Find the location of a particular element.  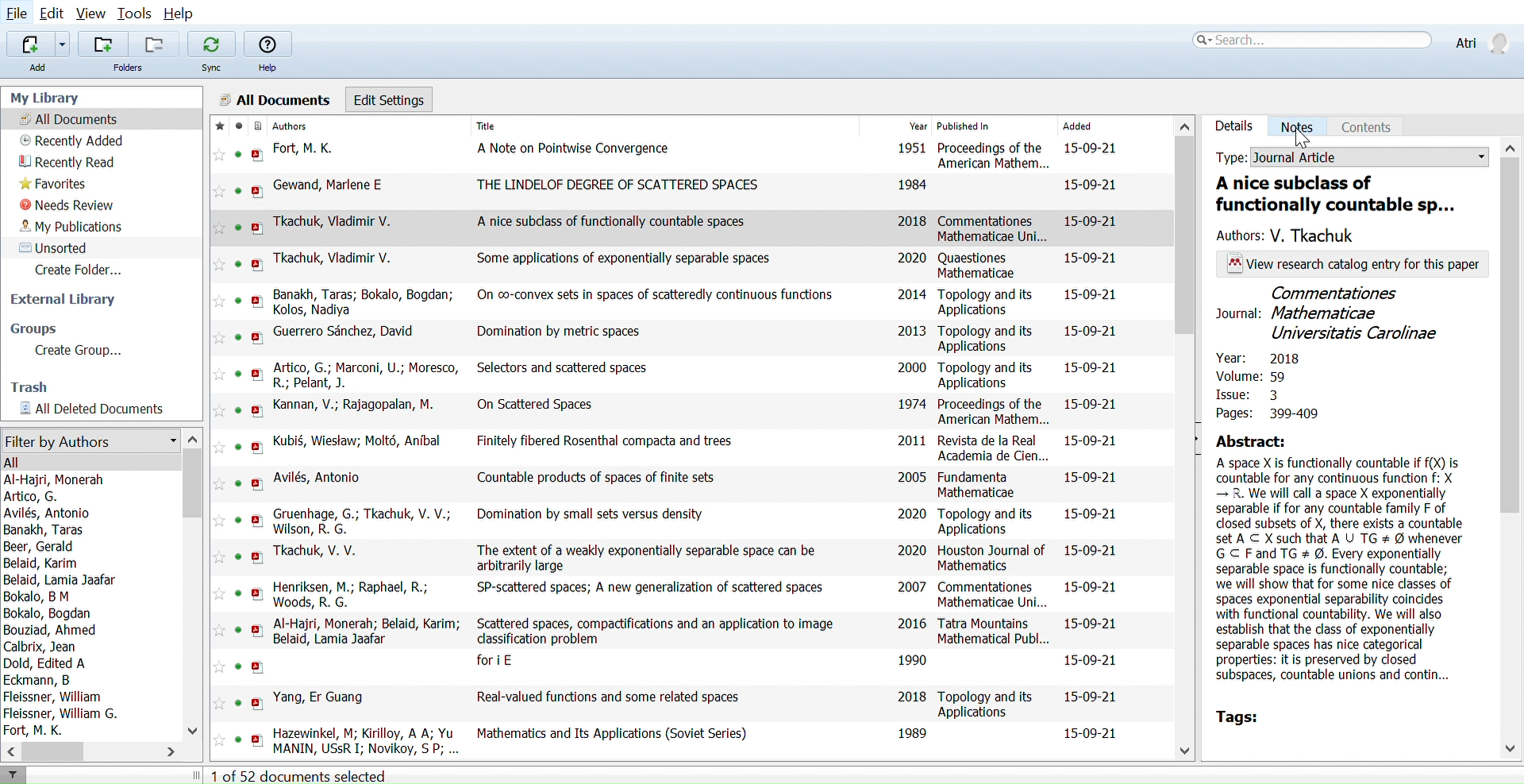

15-09-21 is located at coordinates (1090, 586).